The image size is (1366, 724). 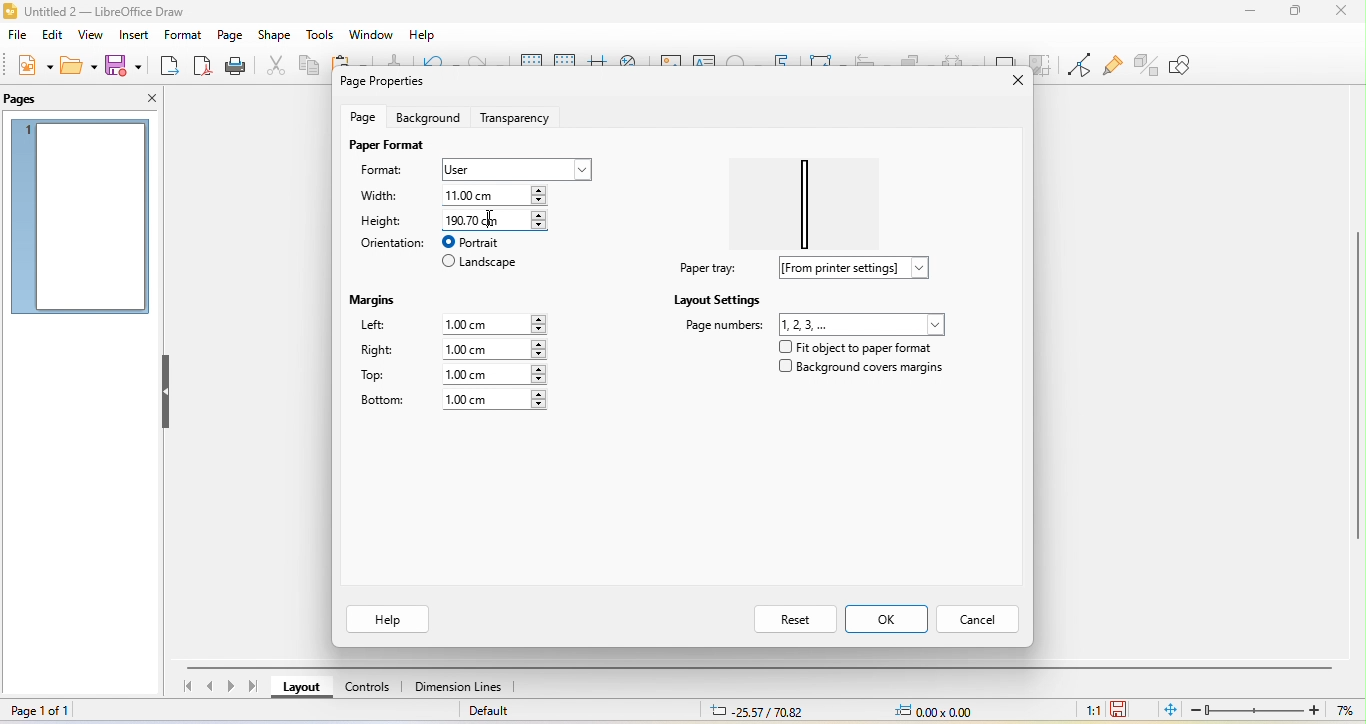 I want to click on margins, so click(x=377, y=297).